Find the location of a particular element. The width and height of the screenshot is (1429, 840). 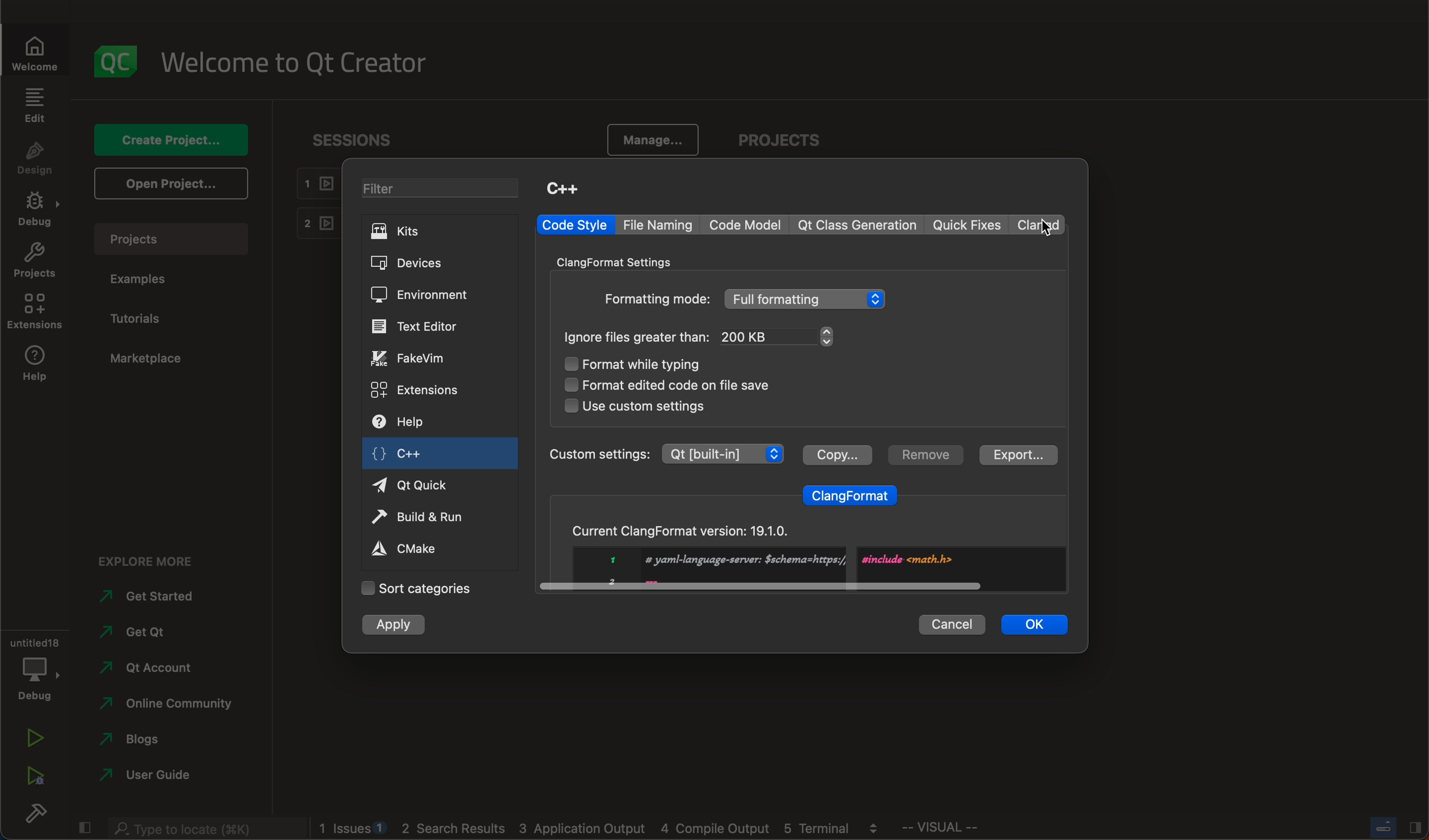

projects is located at coordinates (174, 239).